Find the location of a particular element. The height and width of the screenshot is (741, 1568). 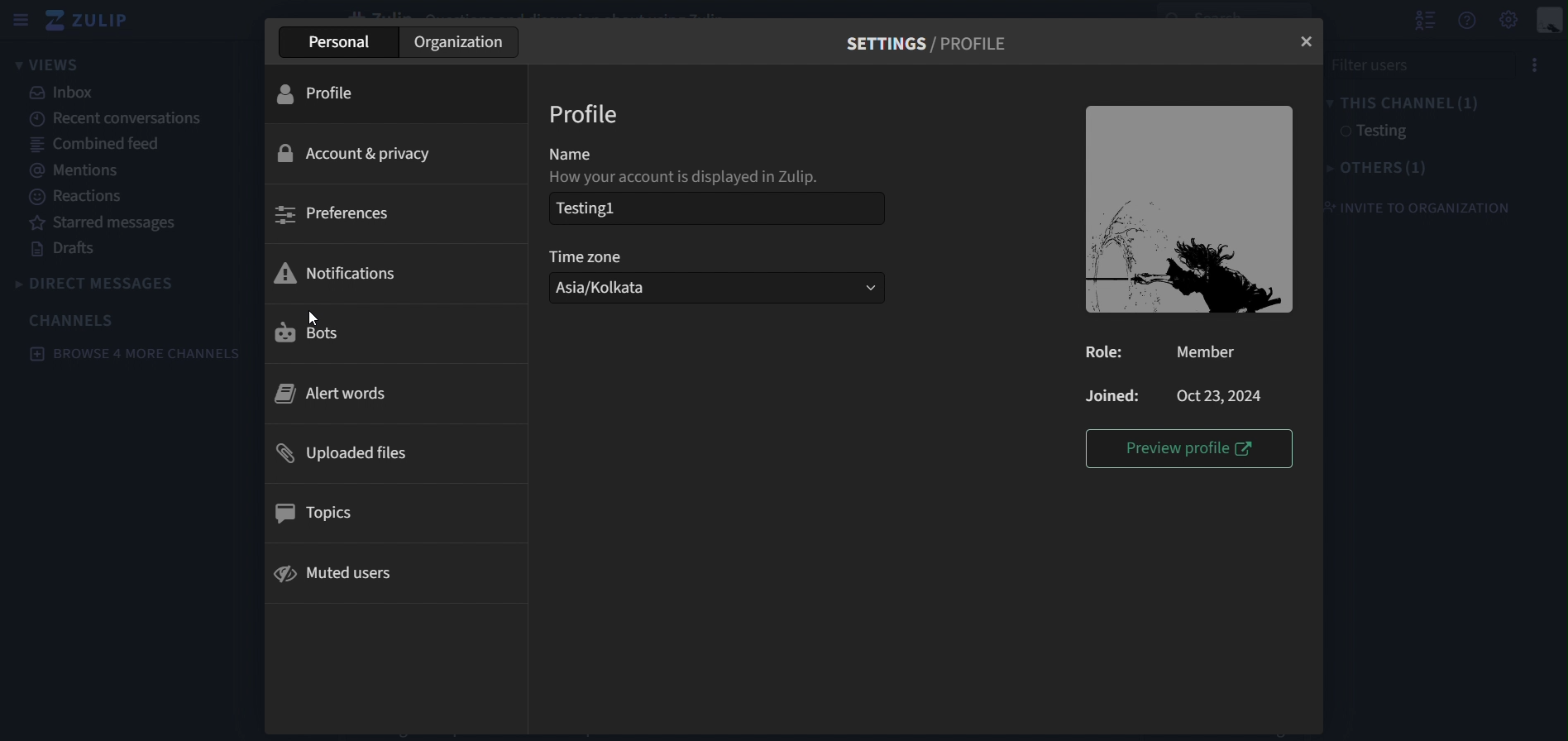

member is located at coordinates (1202, 353).